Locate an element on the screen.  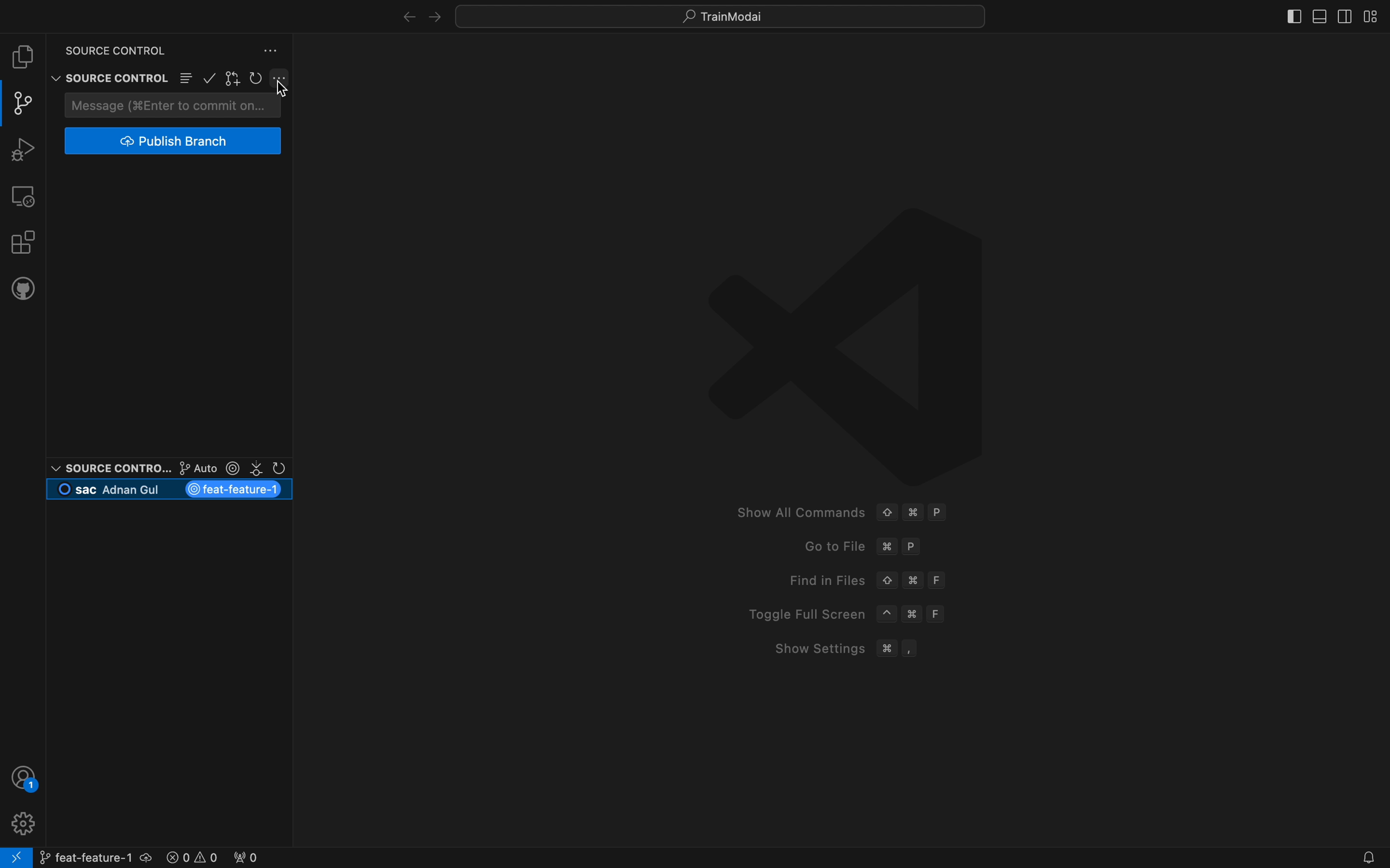
F is located at coordinates (940, 614).